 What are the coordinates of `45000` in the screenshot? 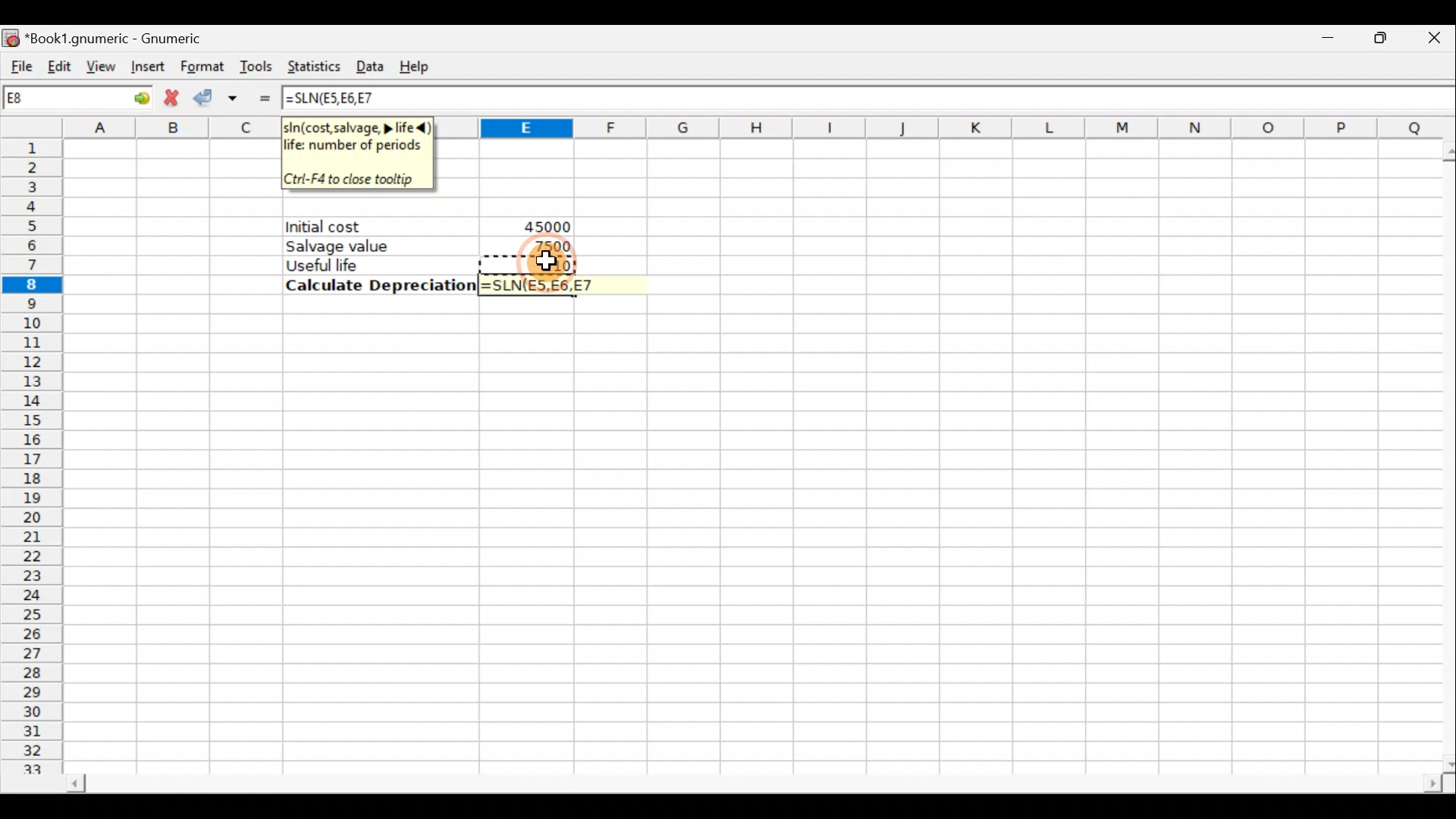 It's located at (543, 224).